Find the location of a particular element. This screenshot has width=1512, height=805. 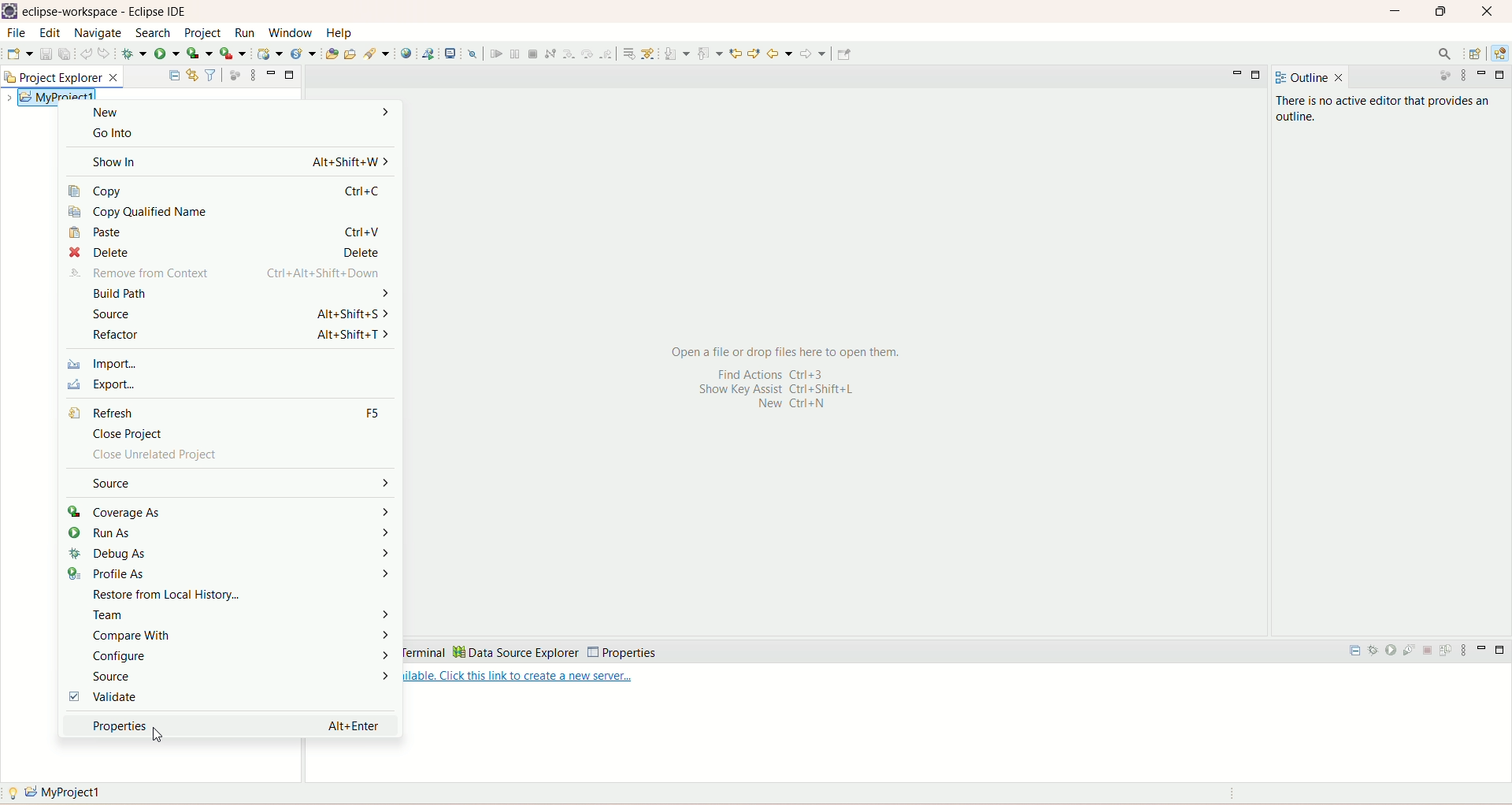

start the server is located at coordinates (1393, 653).